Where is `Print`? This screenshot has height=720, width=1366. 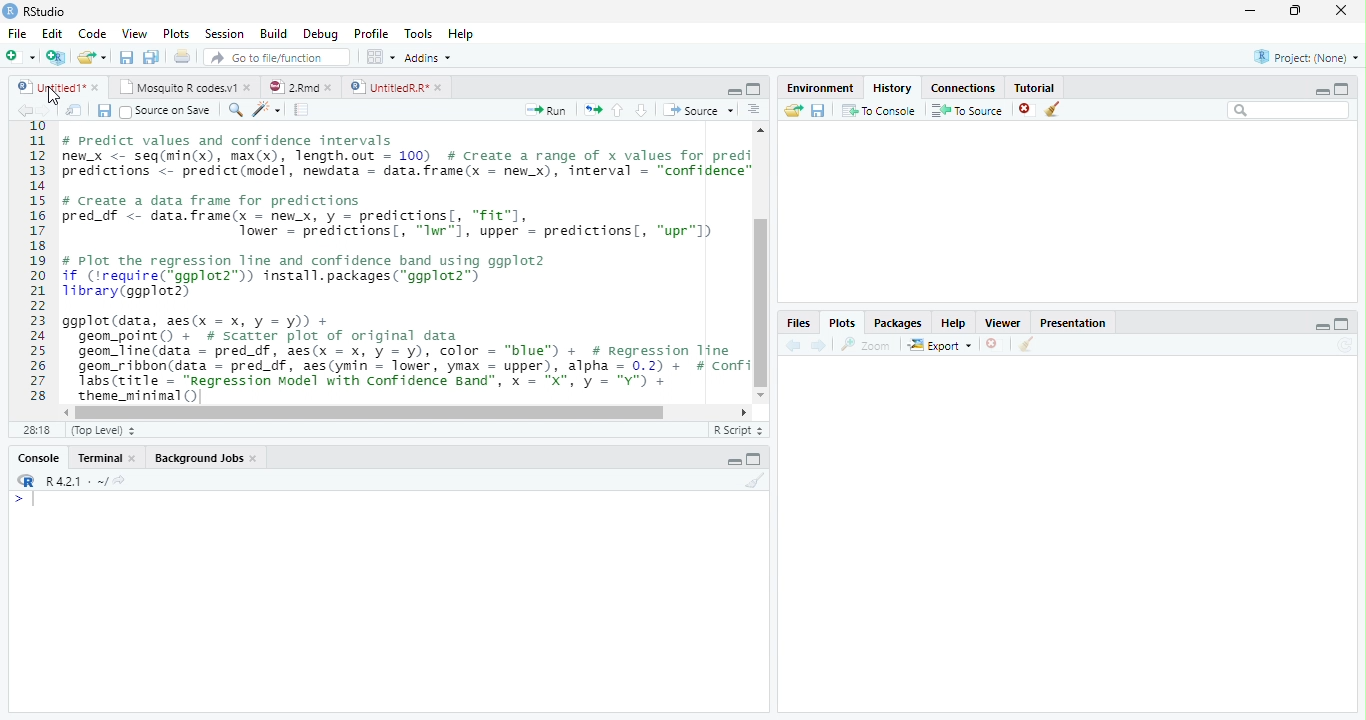
Print is located at coordinates (183, 58).